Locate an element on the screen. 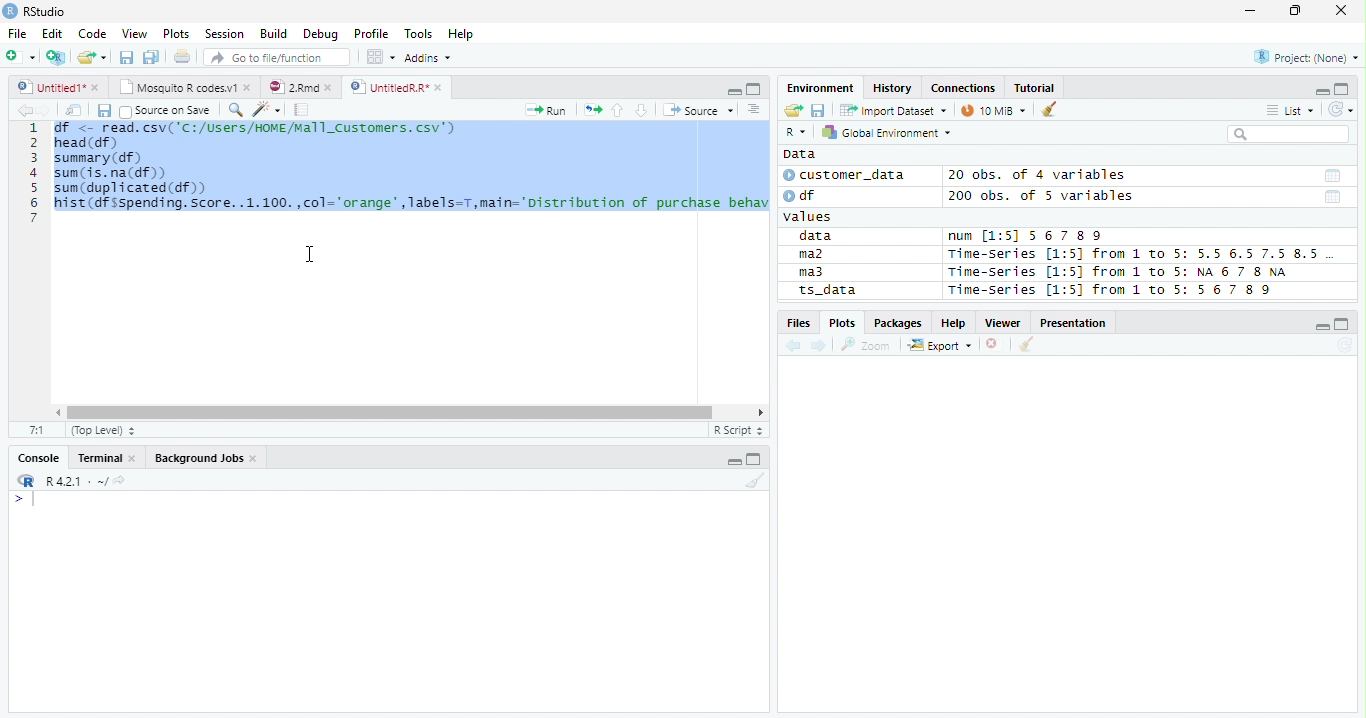  values is located at coordinates (810, 217).